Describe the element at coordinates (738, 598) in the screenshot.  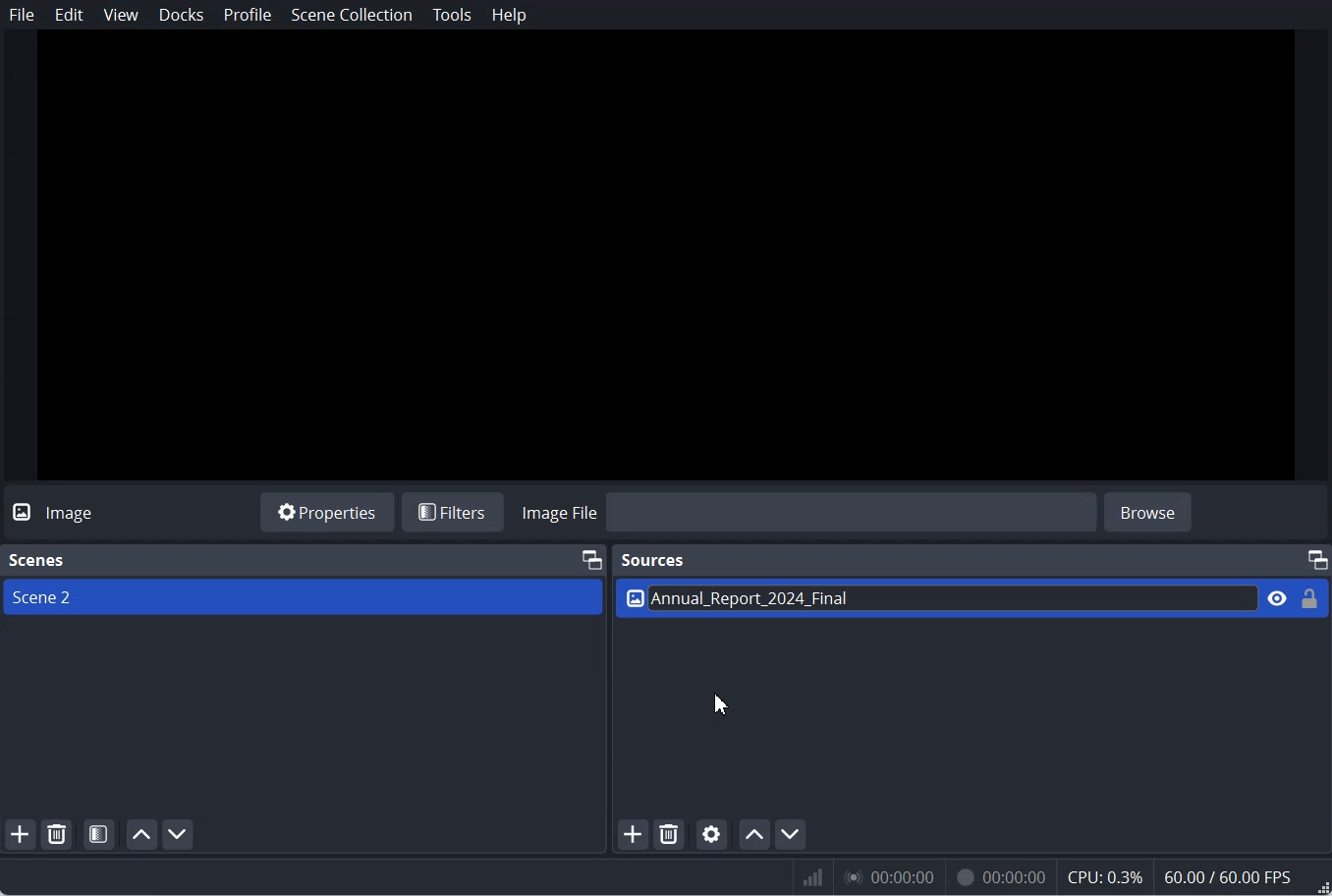
I see `Text` at that location.